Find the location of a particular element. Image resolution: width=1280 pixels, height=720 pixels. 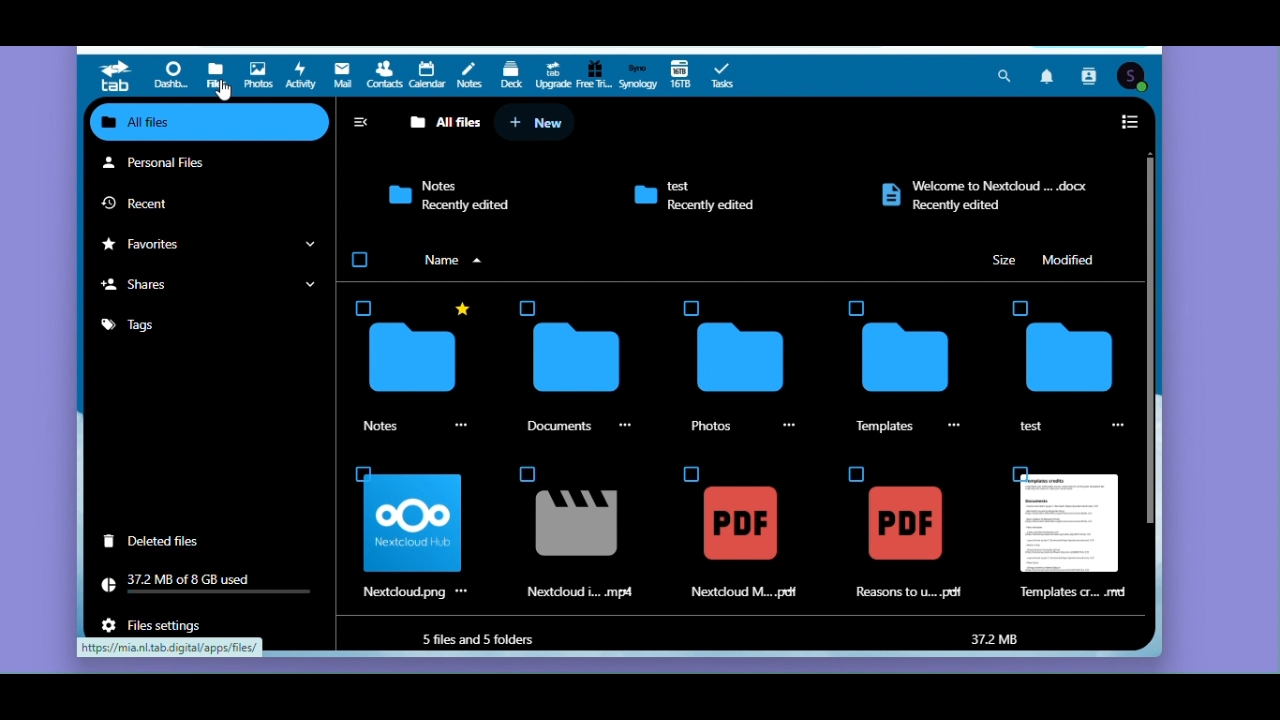

Notes is located at coordinates (471, 73).